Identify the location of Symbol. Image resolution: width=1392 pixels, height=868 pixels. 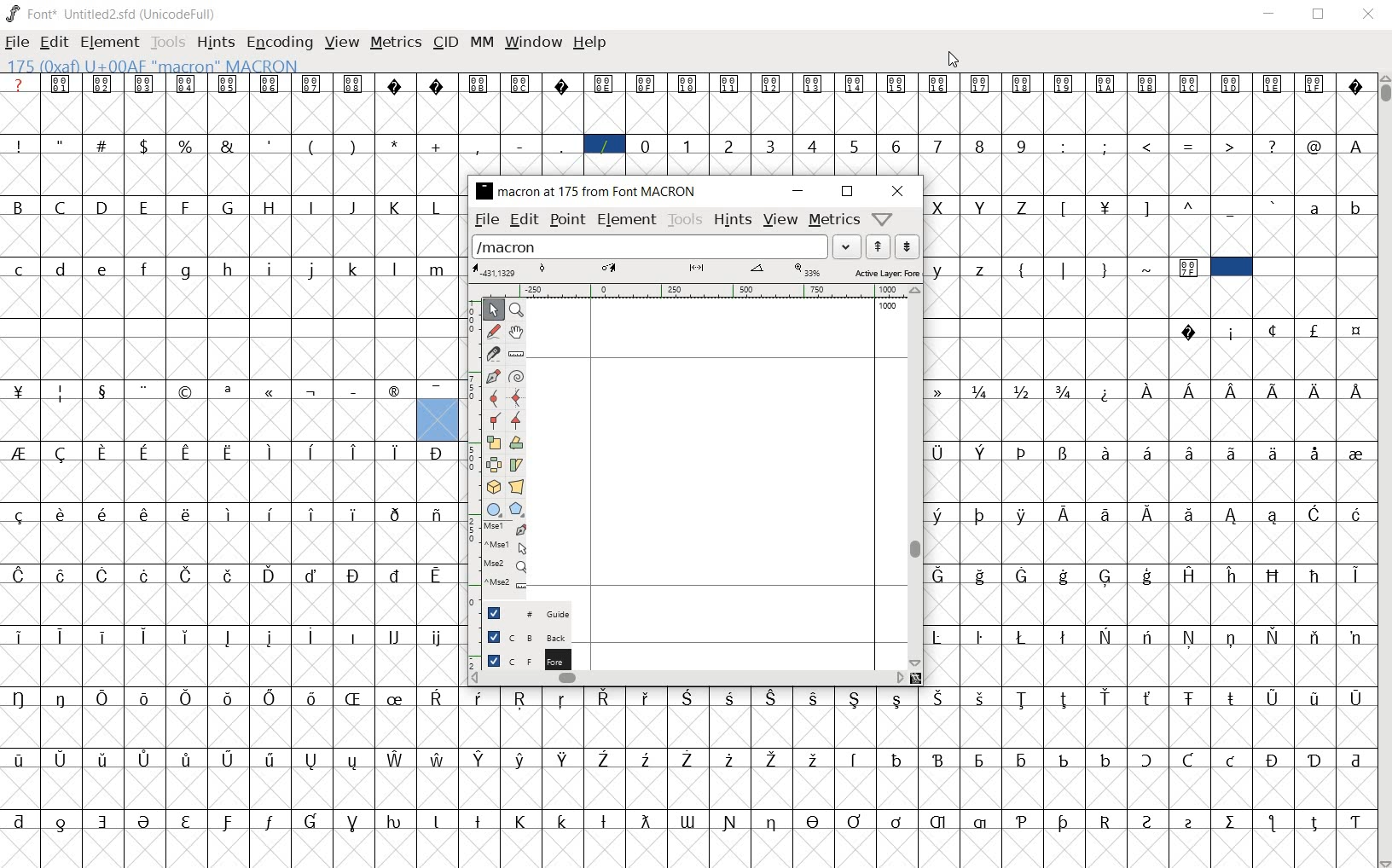
(148, 575).